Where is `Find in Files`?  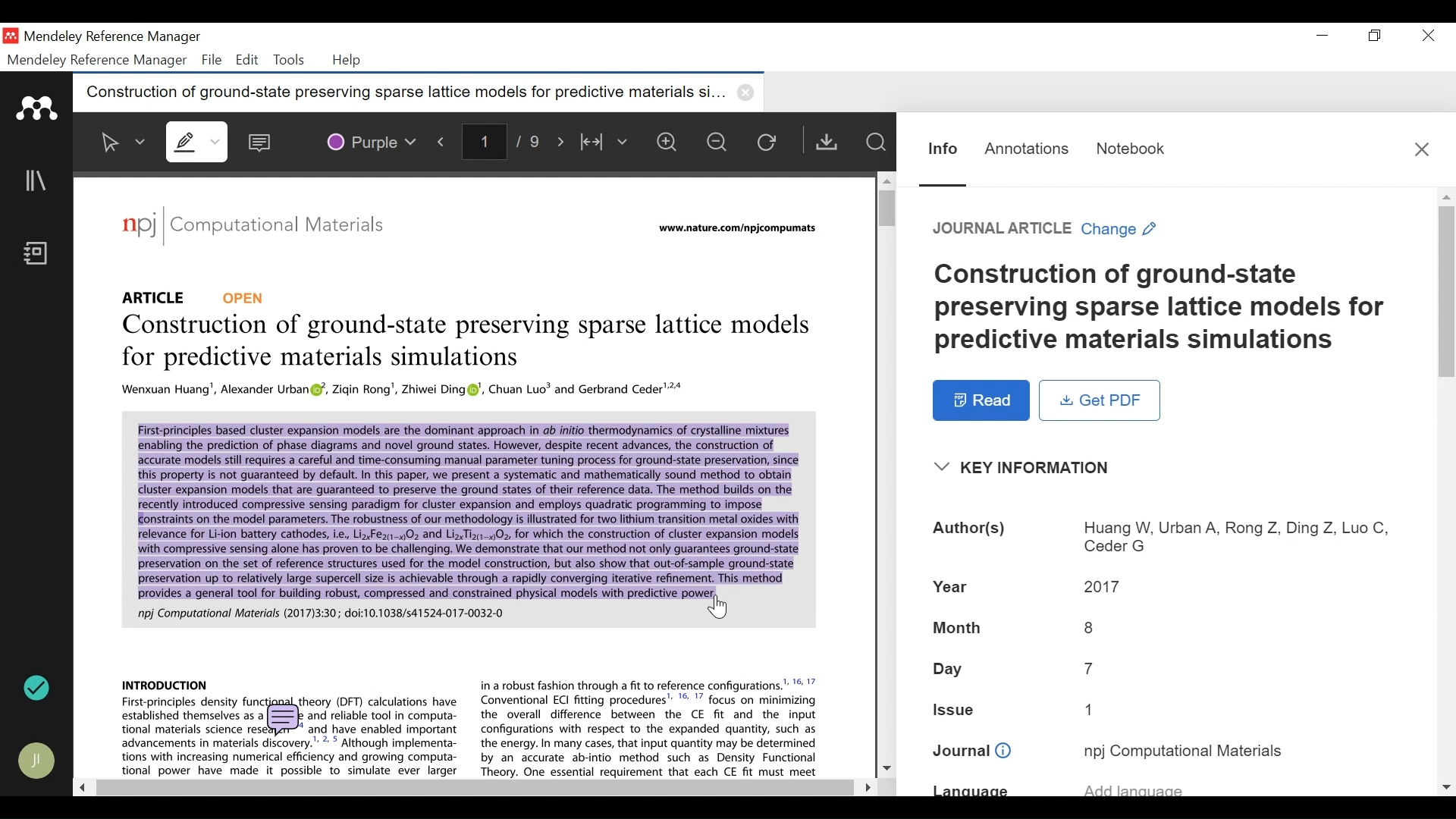 Find in Files is located at coordinates (875, 142).